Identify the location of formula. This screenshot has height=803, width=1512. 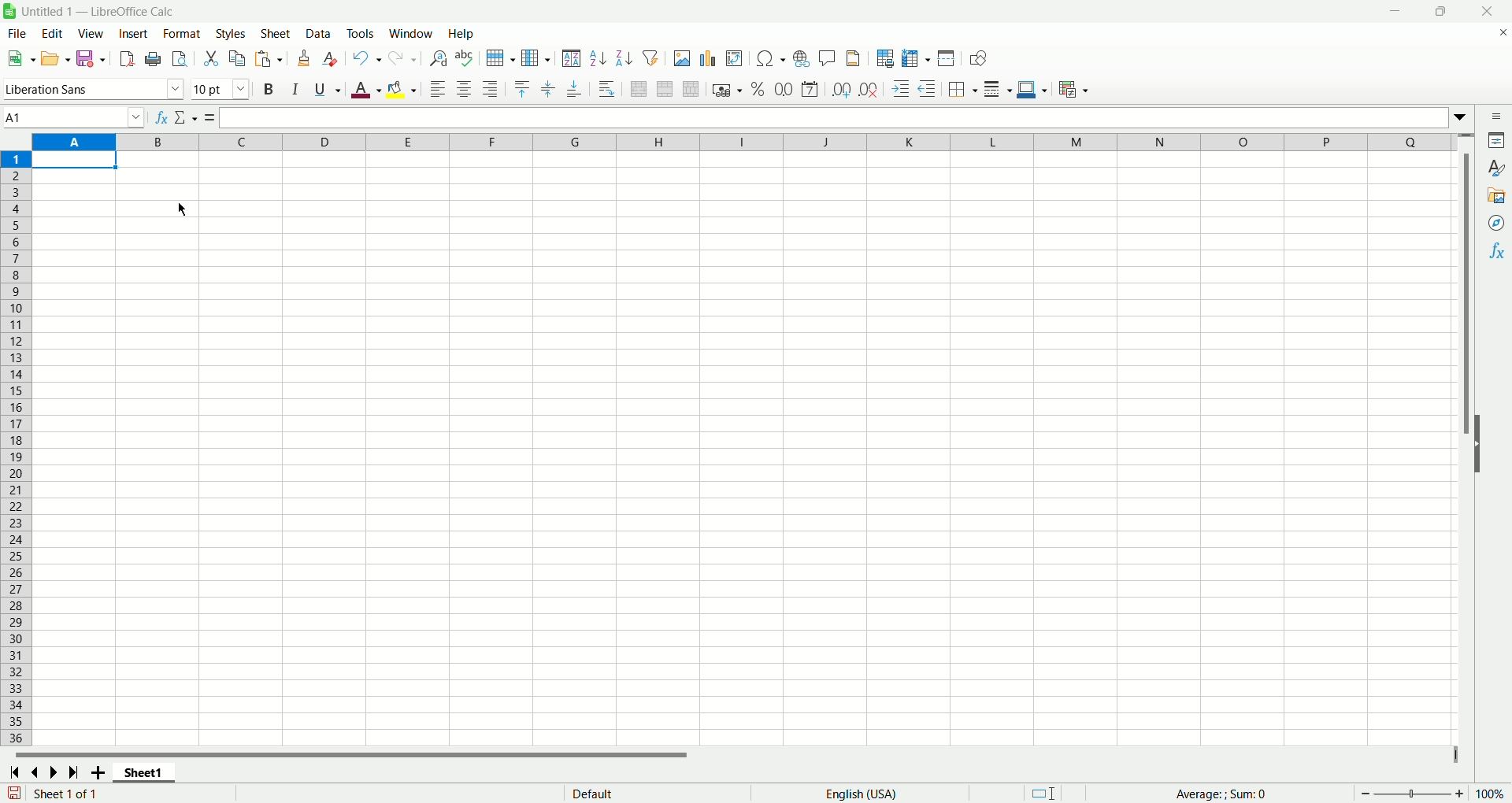
(206, 117).